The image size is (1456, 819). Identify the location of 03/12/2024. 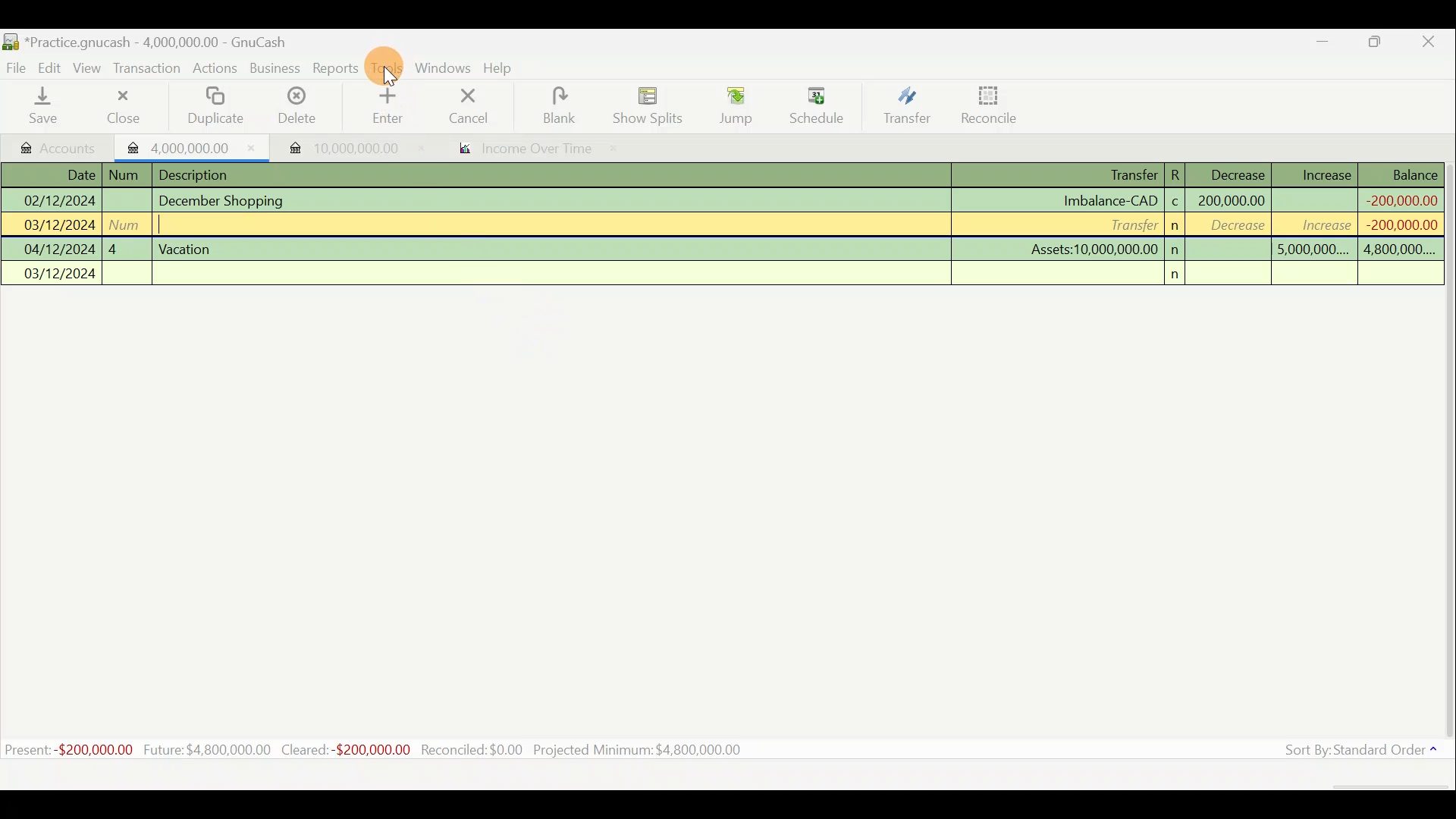
(61, 275).